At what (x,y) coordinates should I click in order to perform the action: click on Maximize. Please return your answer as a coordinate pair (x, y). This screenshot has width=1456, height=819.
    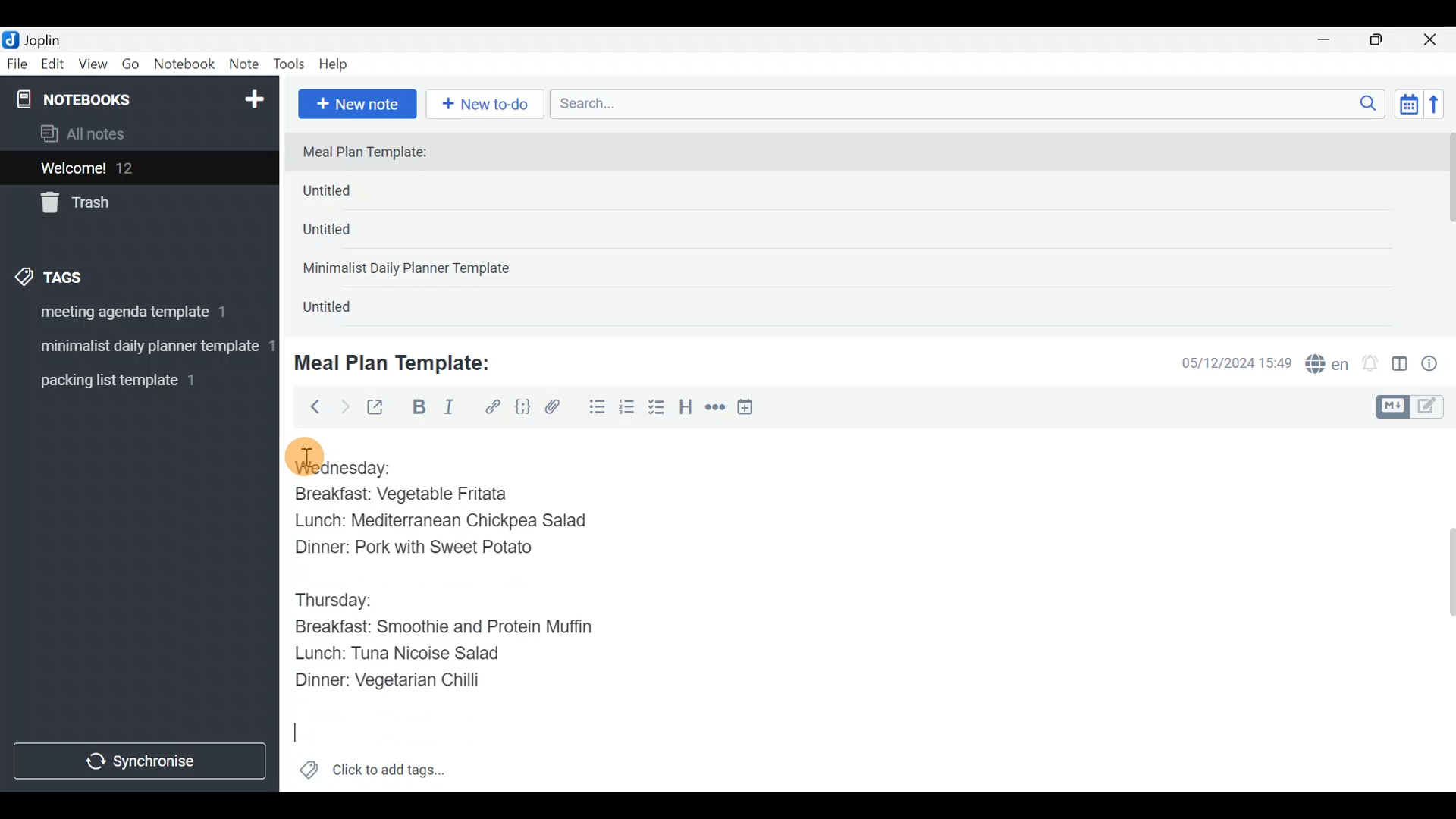
    Looking at the image, I should click on (1385, 40).